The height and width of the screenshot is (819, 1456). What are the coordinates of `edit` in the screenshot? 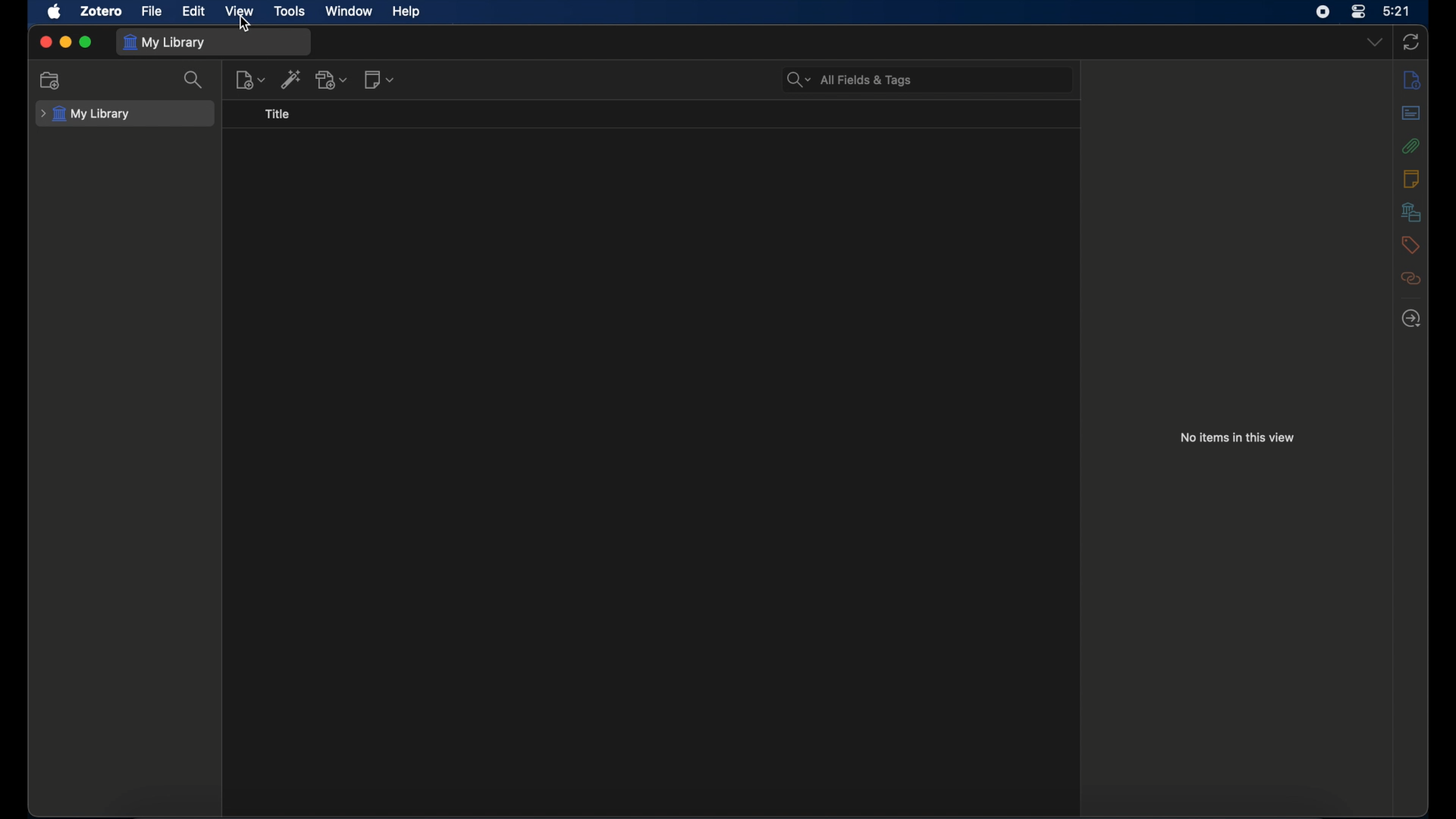 It's located at (195, 12).